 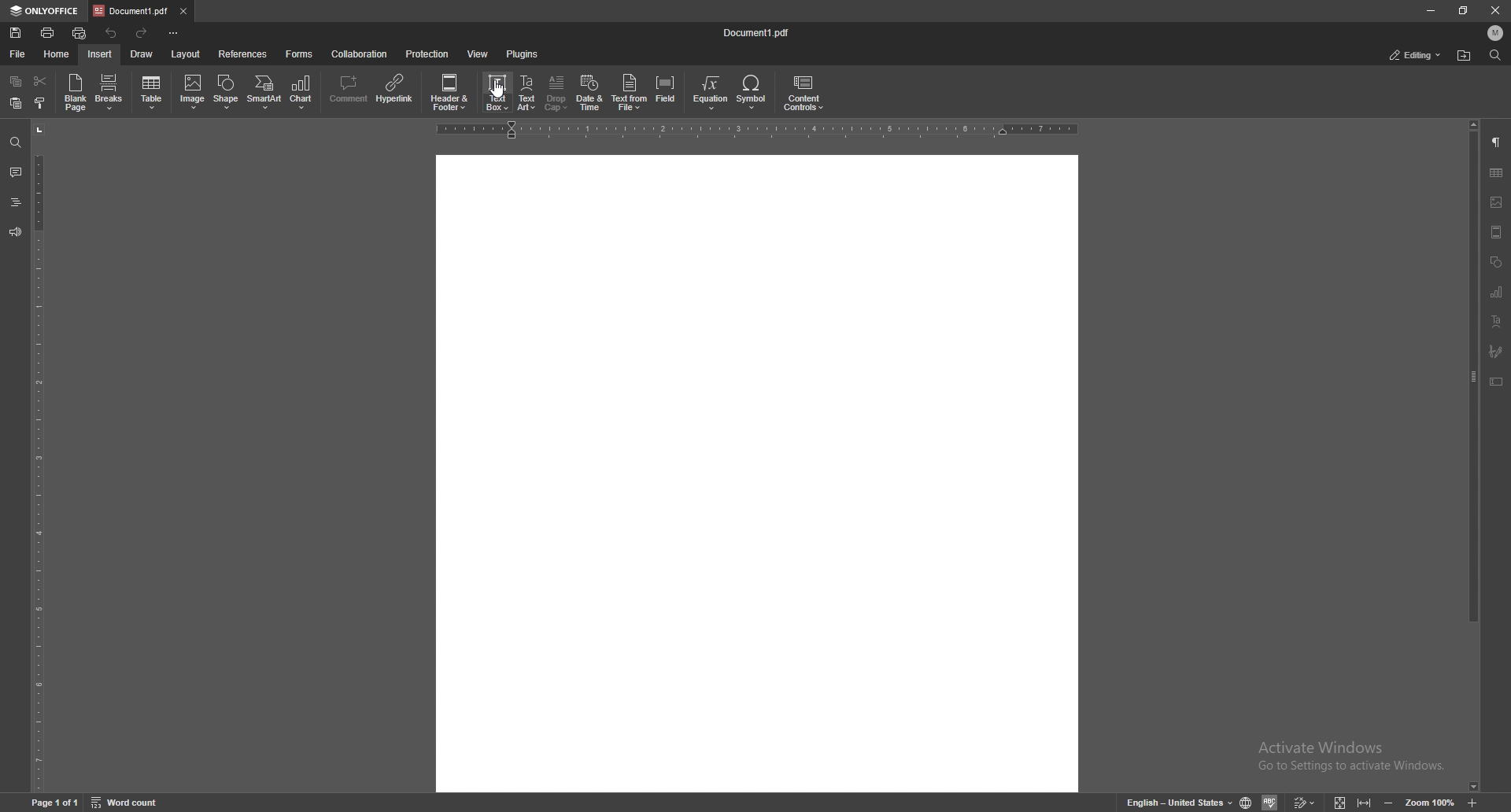 What do you see at coordinates (360, 54) in the screenshot?
I see `colaboration` at bounding box center [360, 54].